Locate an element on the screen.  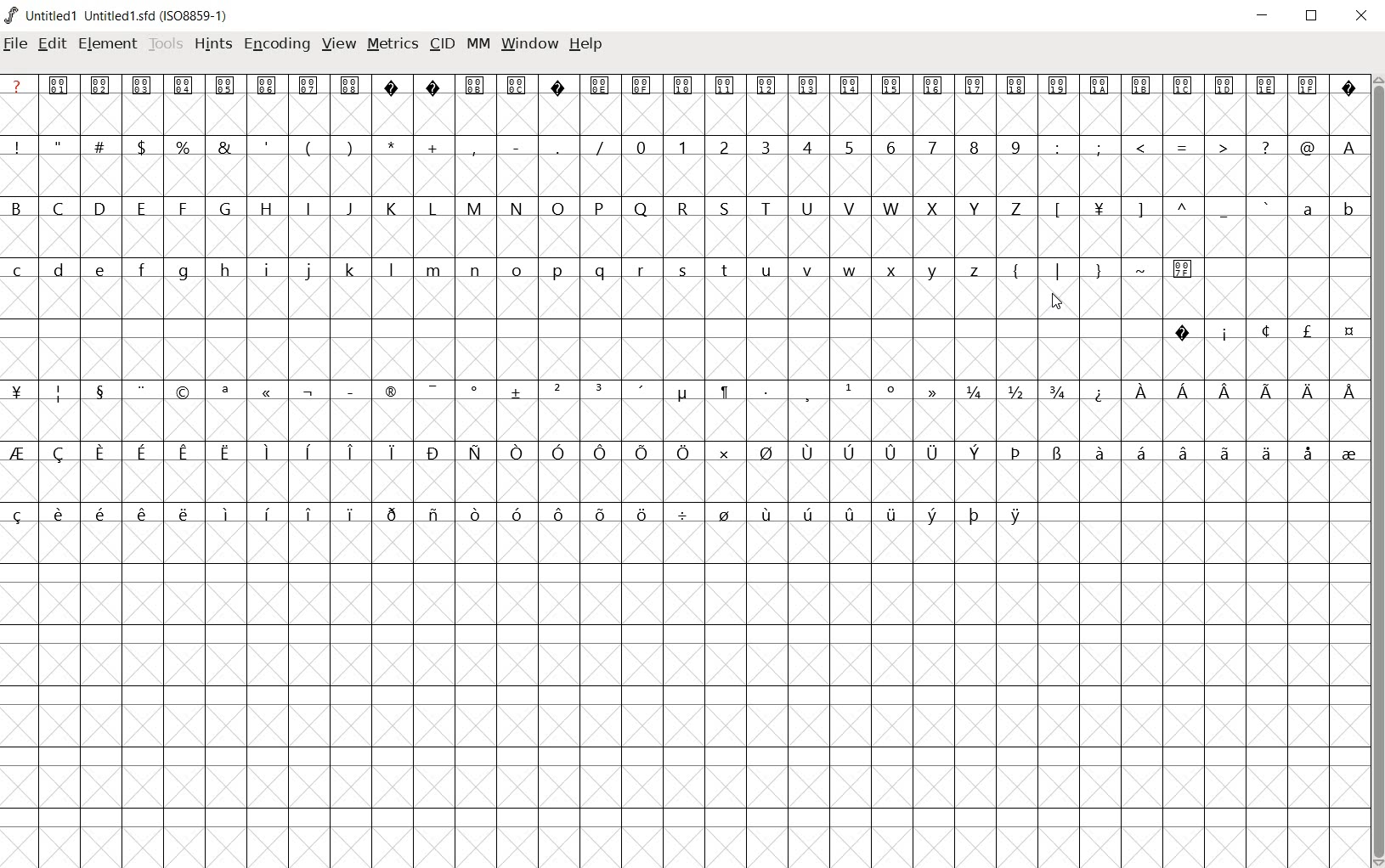
empty cells is located at coordinates (683, 237).